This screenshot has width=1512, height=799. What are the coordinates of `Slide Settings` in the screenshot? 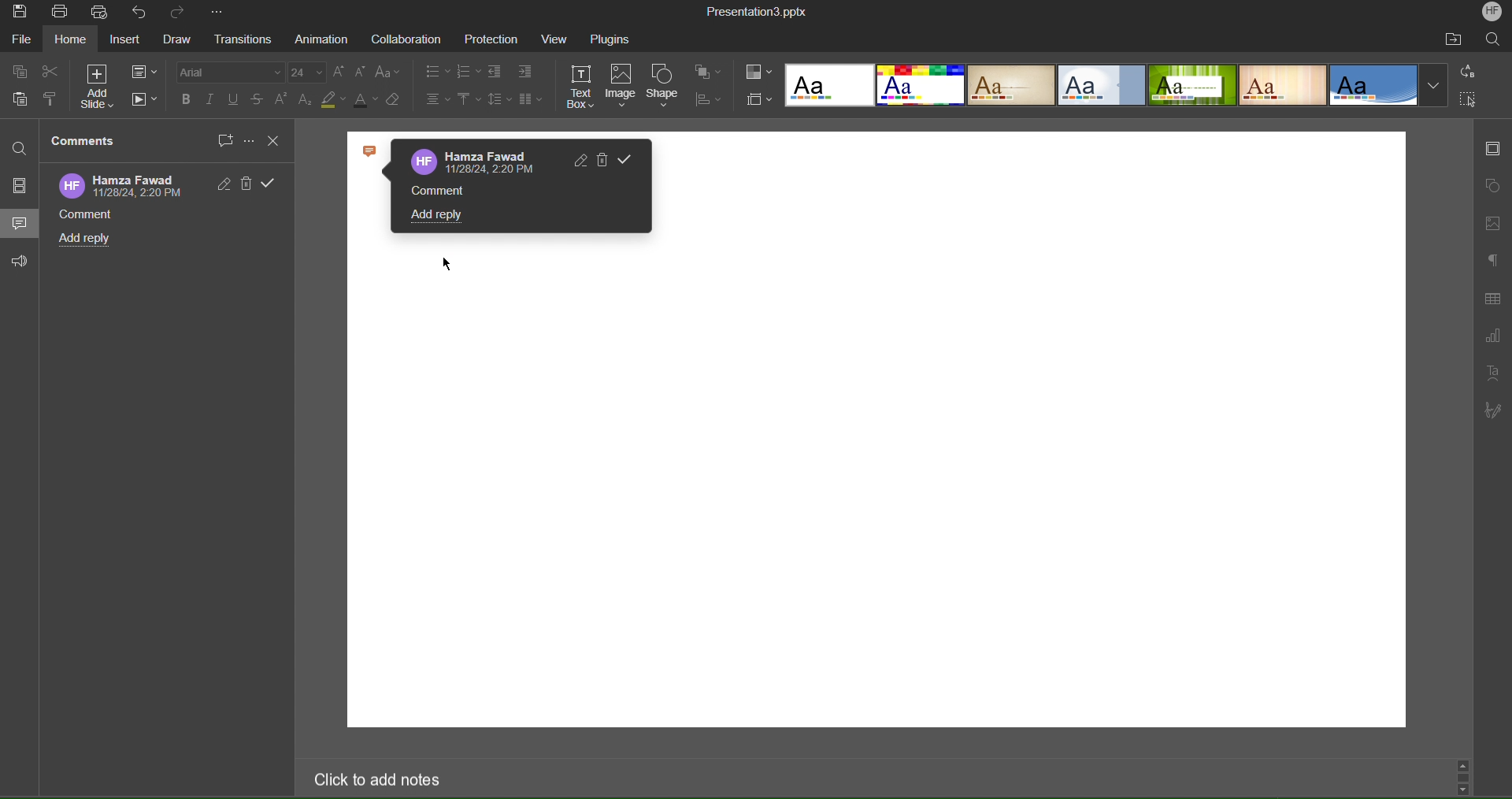 It's located at (144, 72).